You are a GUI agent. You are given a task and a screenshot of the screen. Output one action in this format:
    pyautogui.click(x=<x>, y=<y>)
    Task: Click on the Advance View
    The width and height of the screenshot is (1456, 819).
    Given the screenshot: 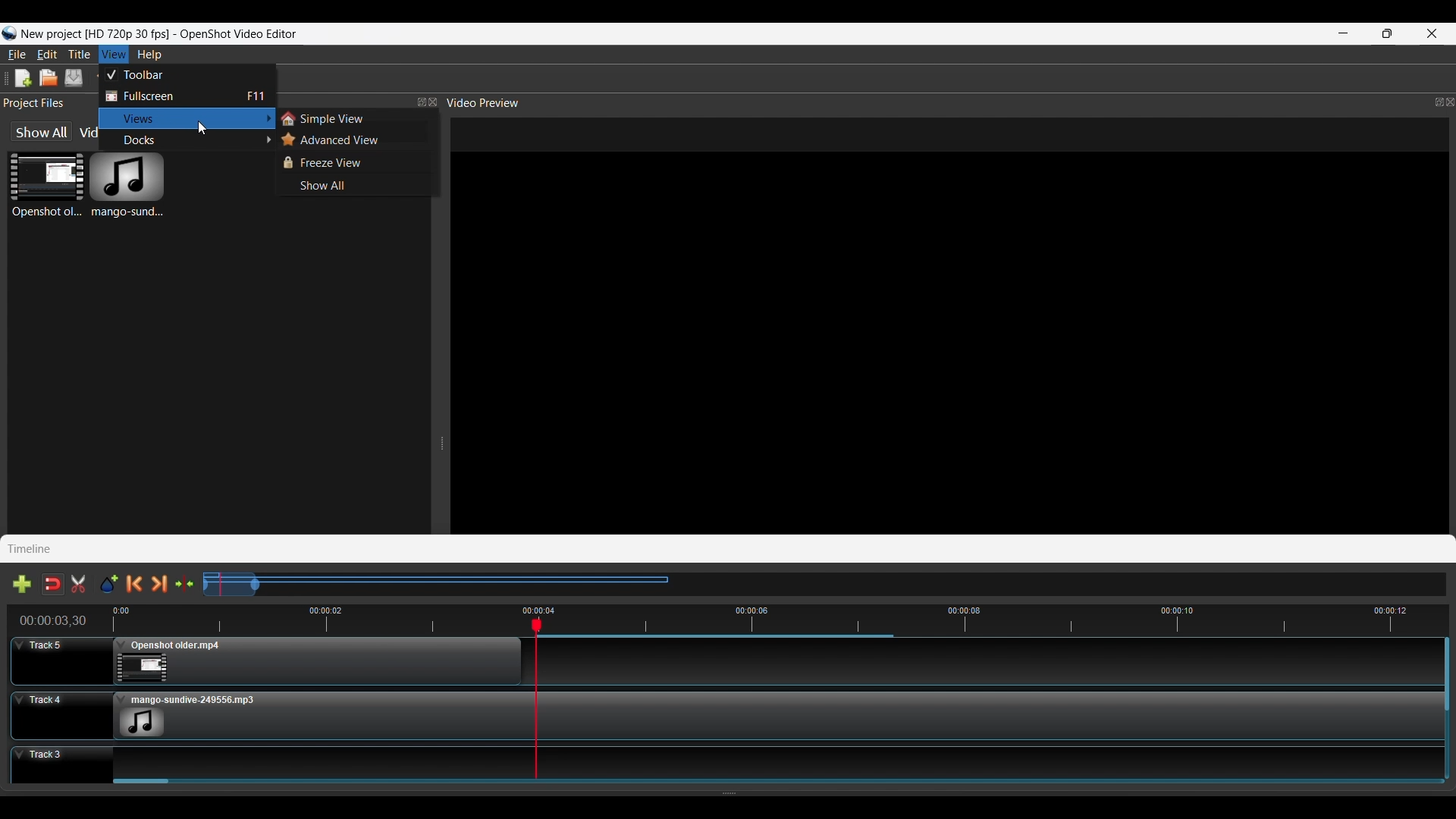 What is the action you would take?
    pyautogui.click(x=353, y=140)
    